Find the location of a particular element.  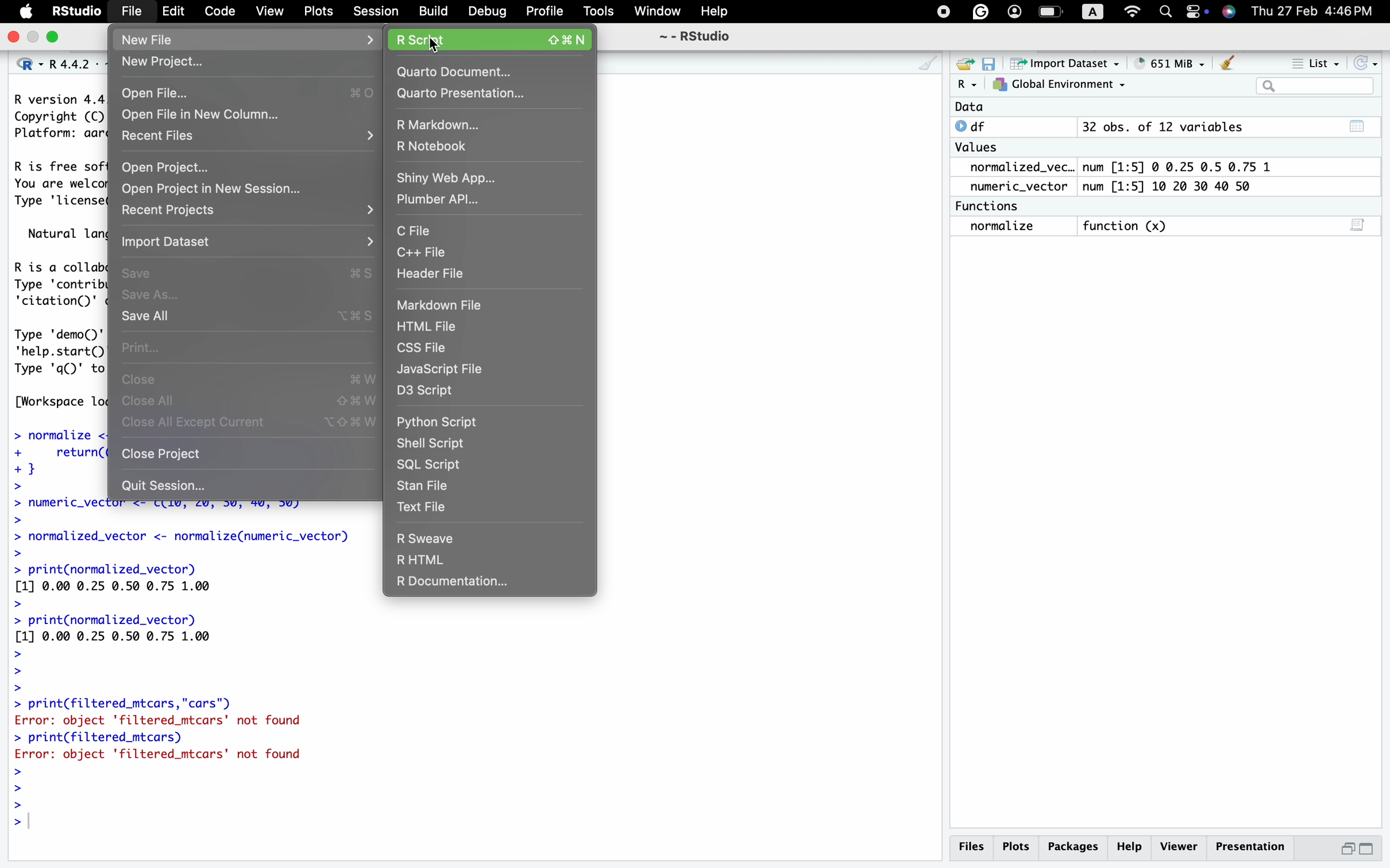

Packages is located at coordinates (1074, 847).